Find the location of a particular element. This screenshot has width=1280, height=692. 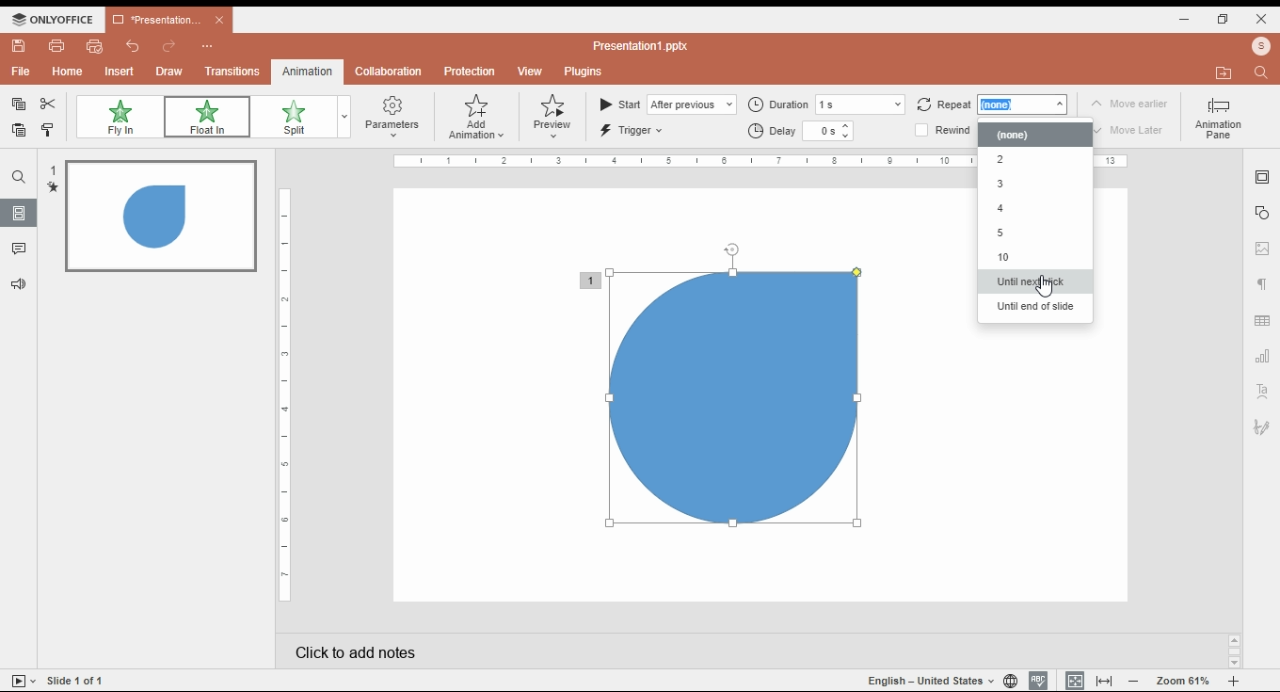

cut is located at coordinates (50, 104).